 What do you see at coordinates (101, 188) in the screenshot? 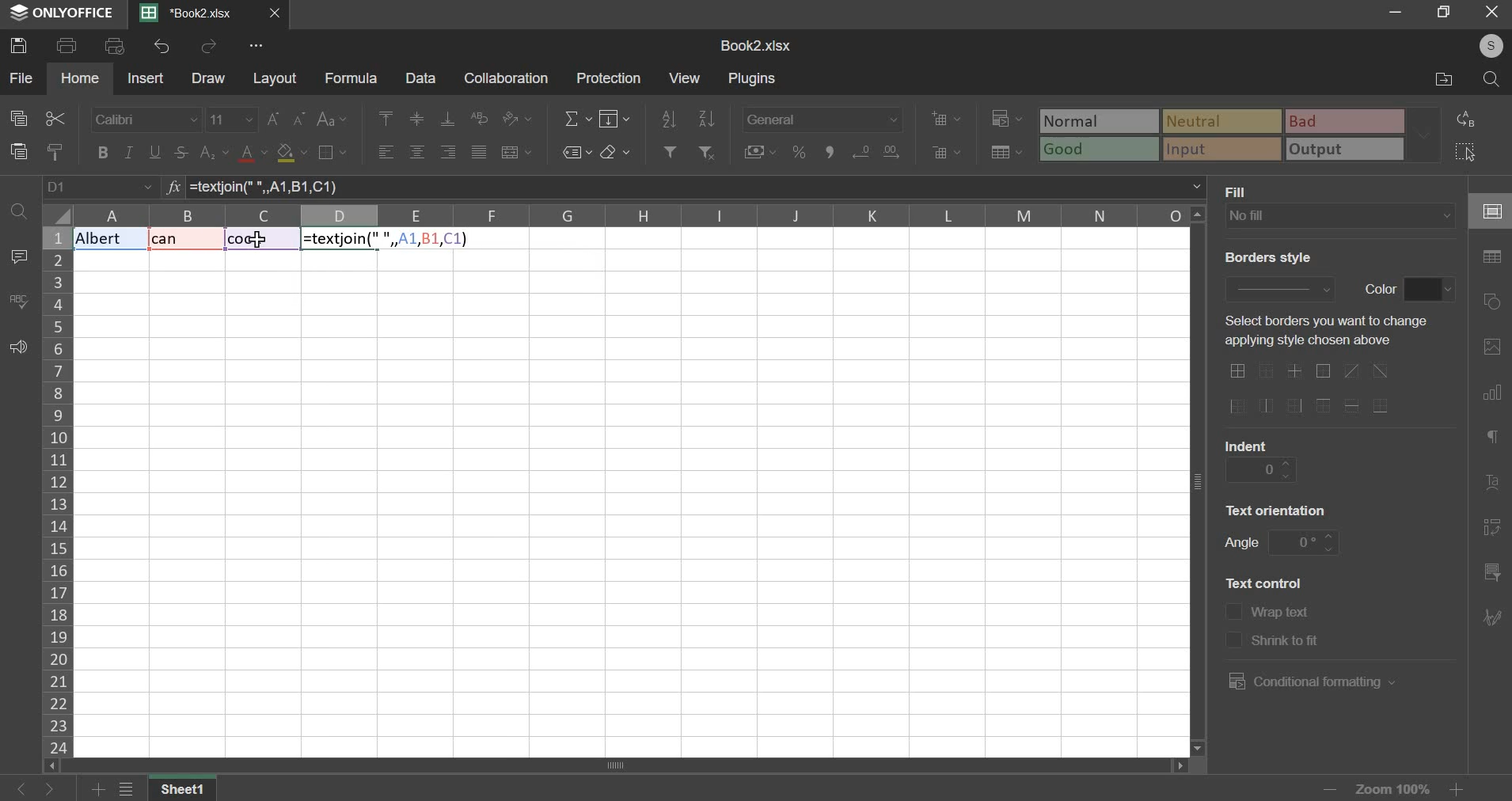
I see `cell name` at bounding box center [101, 188].